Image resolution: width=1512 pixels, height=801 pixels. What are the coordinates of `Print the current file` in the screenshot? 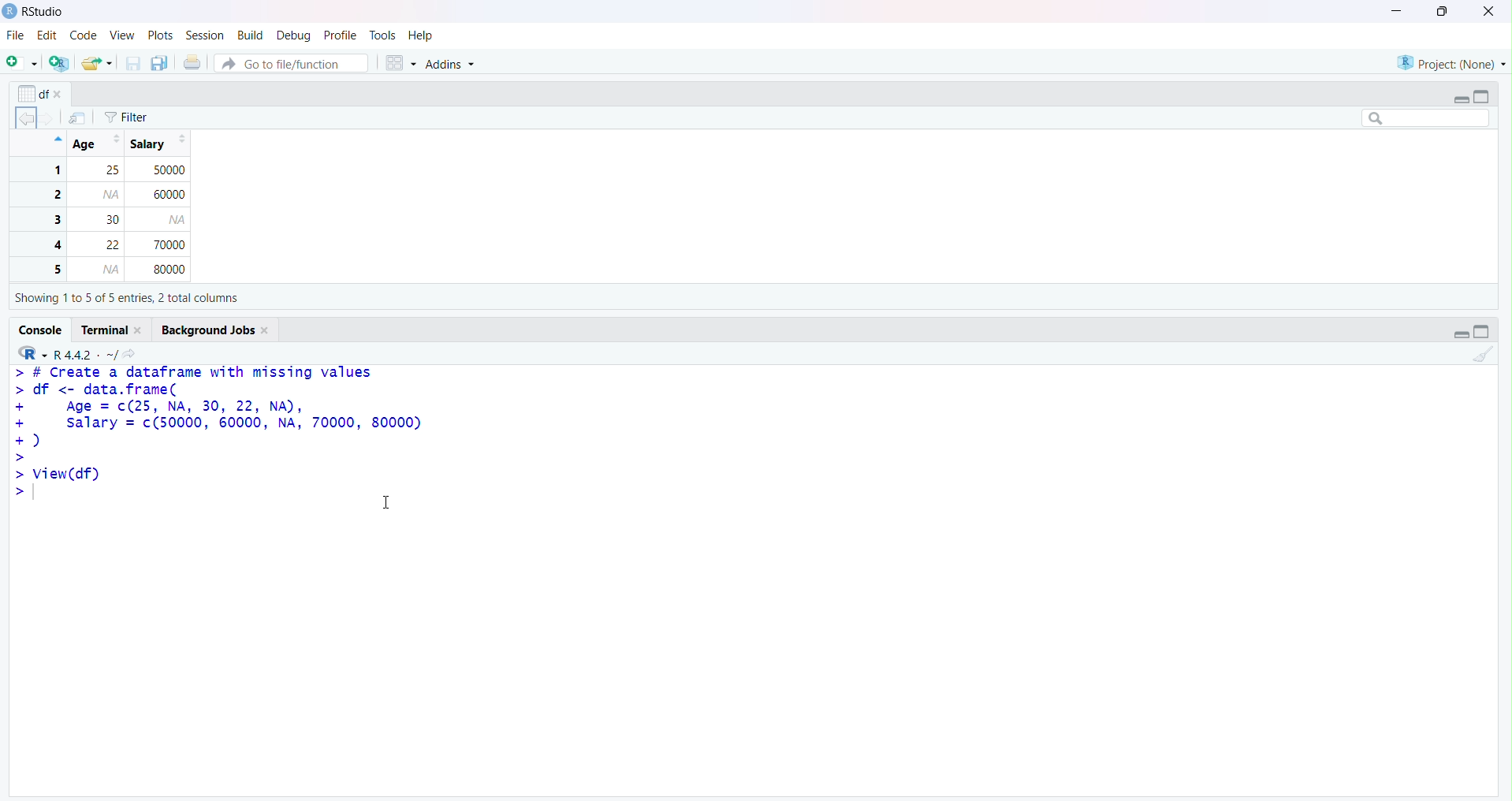 It's located at (192, 61).